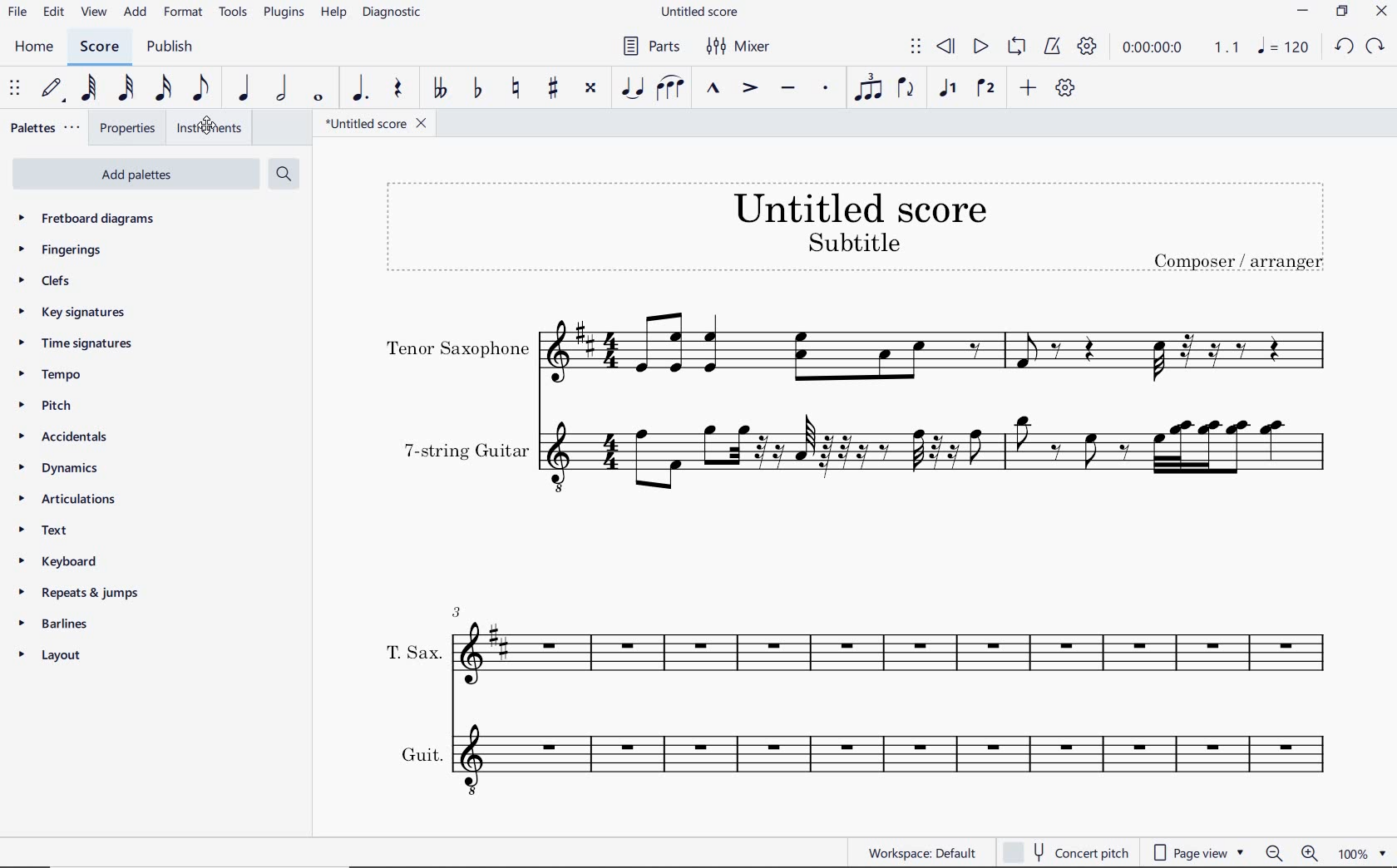 This screenshot has width=1397, height=868. What do you see at coordinates (96, 13) in the screenshot?
I see `VIEW` at bounding box center [96, 13].